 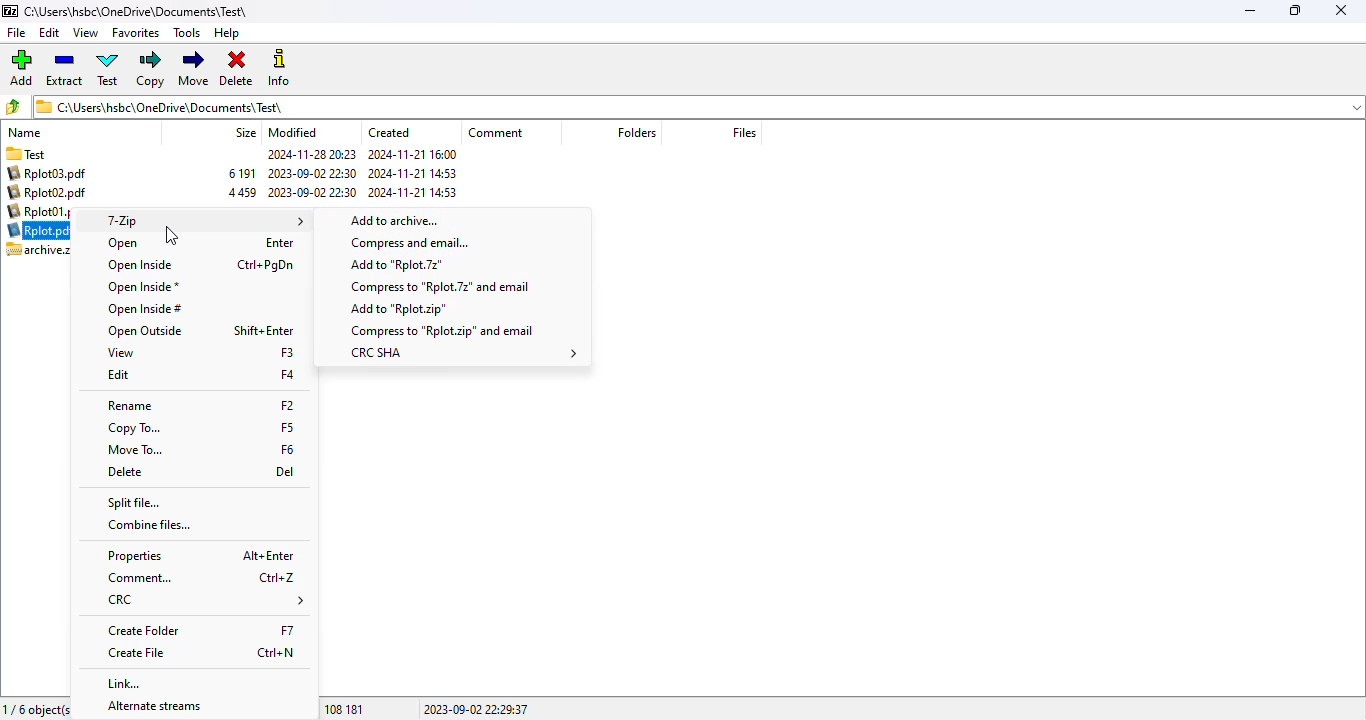 I want to click on shortcut for comment, so click(x=277, y=578).